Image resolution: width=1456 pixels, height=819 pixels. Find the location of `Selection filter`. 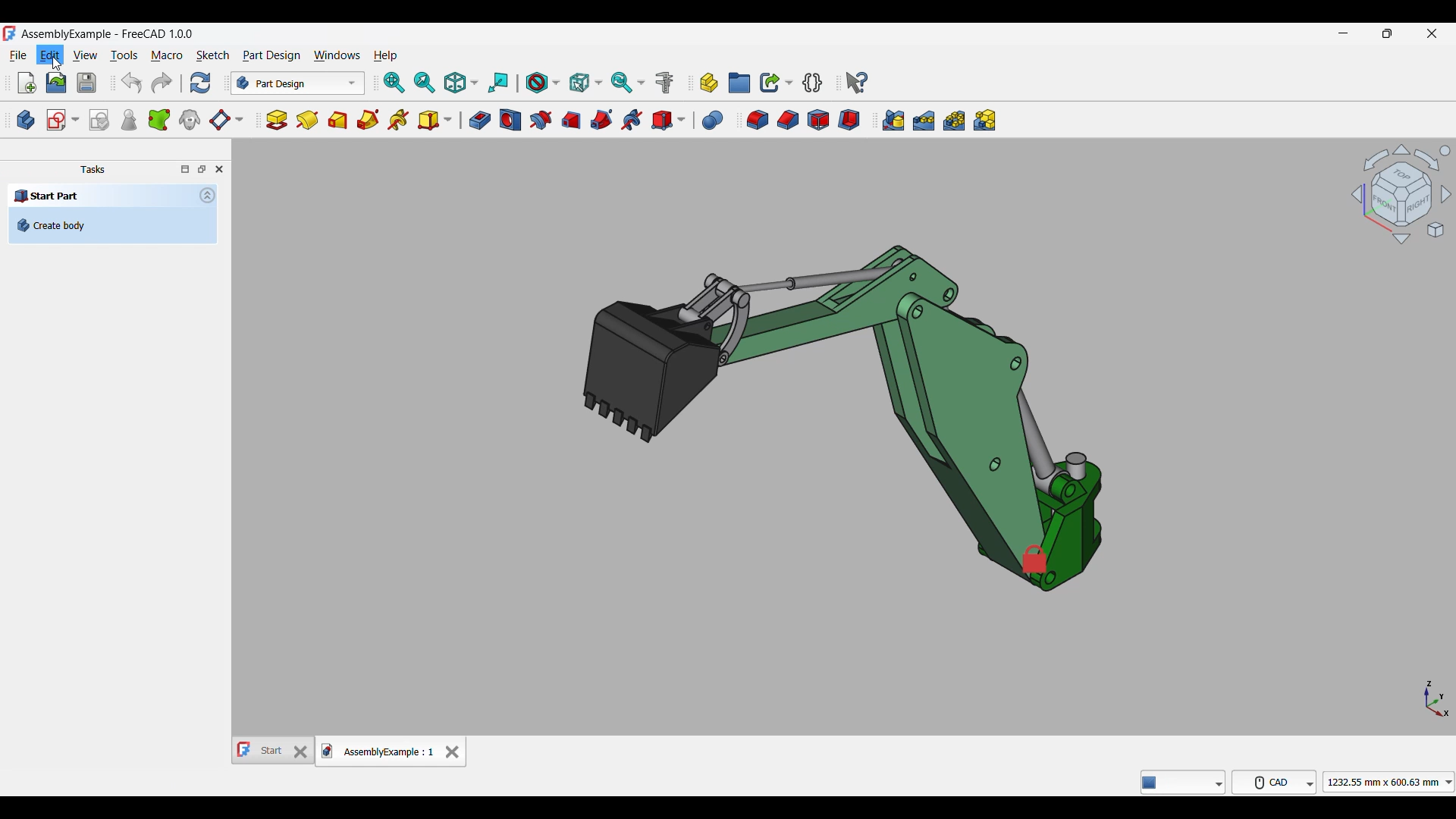

Selection filter is located at coordinates (585, 83).